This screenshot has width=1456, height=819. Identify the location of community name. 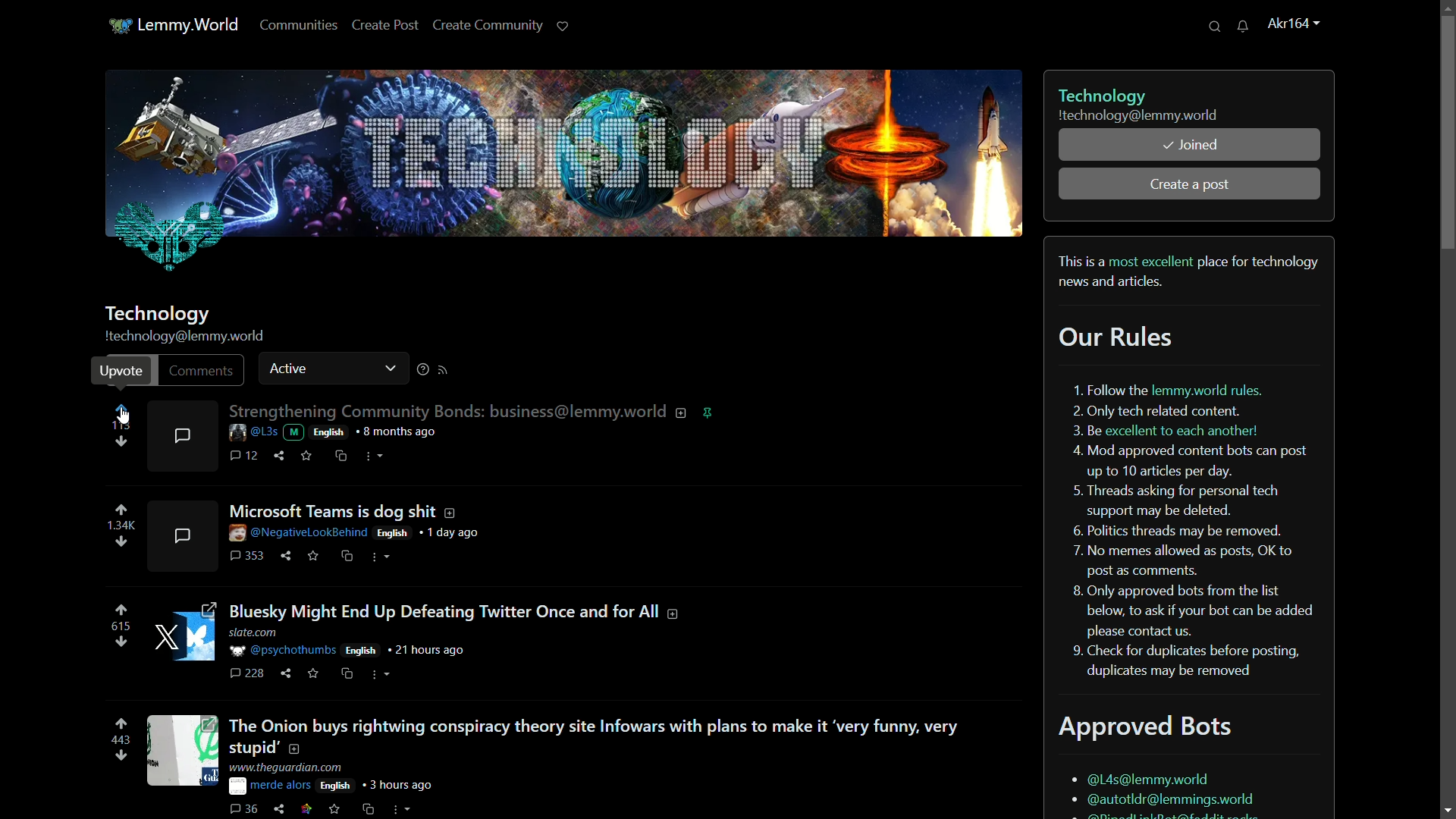
(160, 315).